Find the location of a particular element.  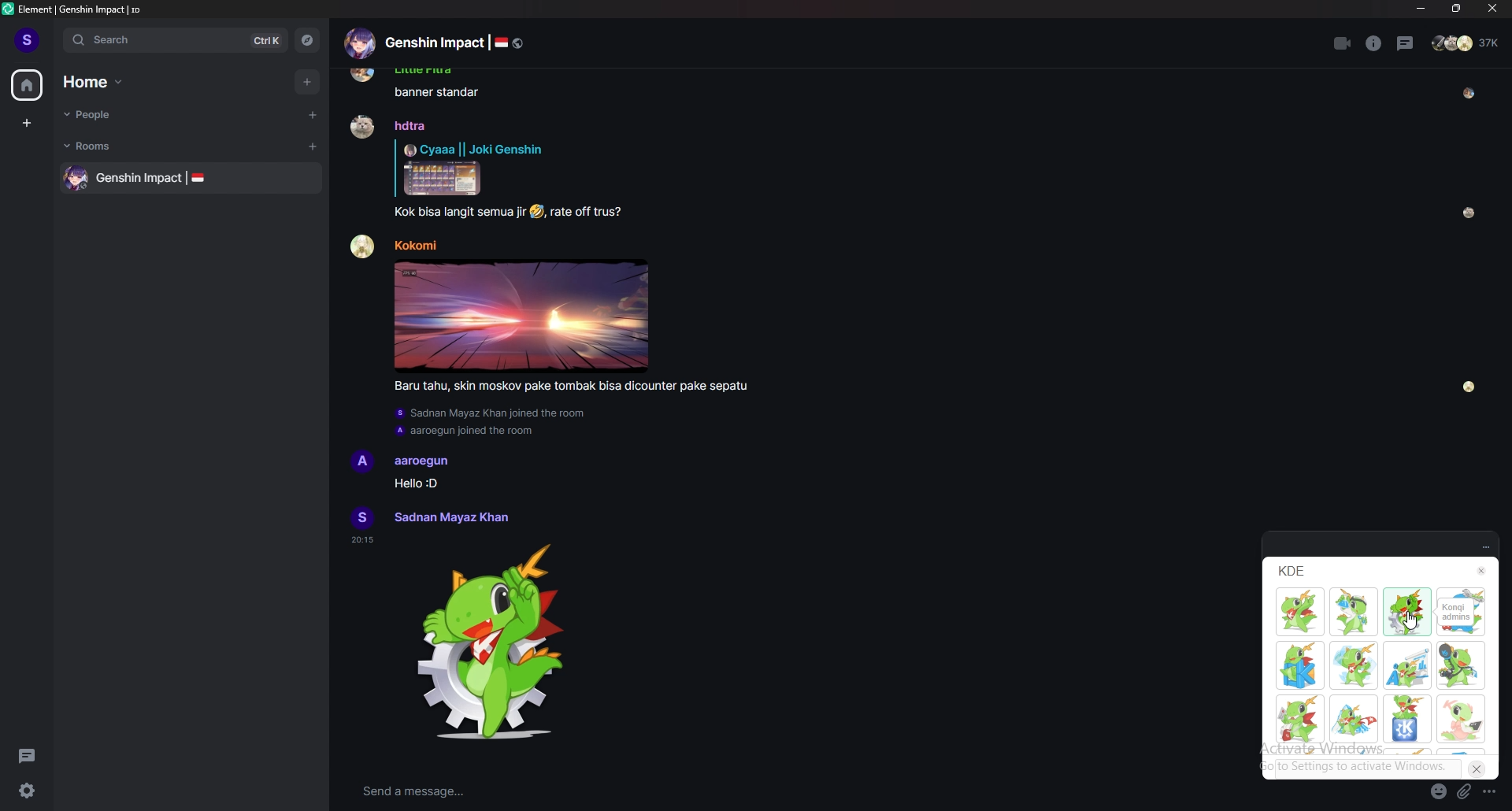

aaroegun is located at coordinates (422, 462).